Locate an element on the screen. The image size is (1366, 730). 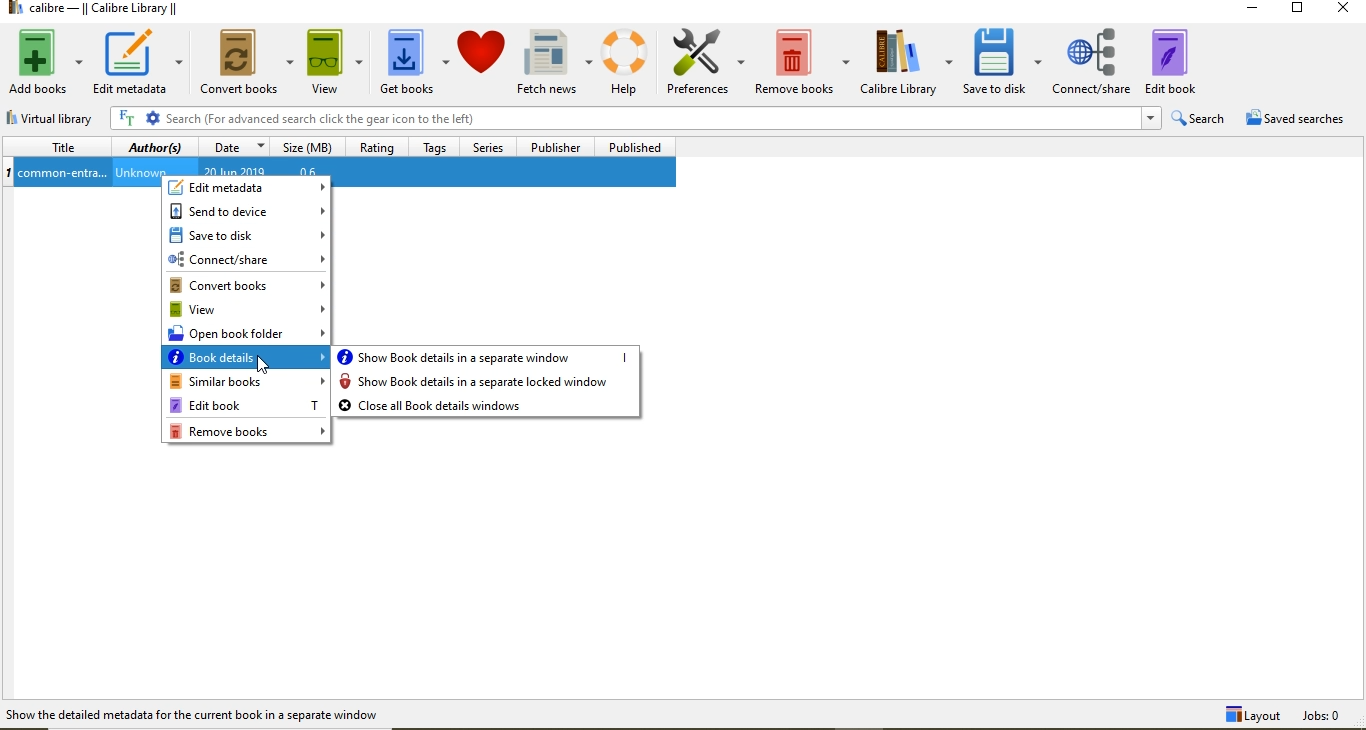
Tags is located at coordinates (438, 147).